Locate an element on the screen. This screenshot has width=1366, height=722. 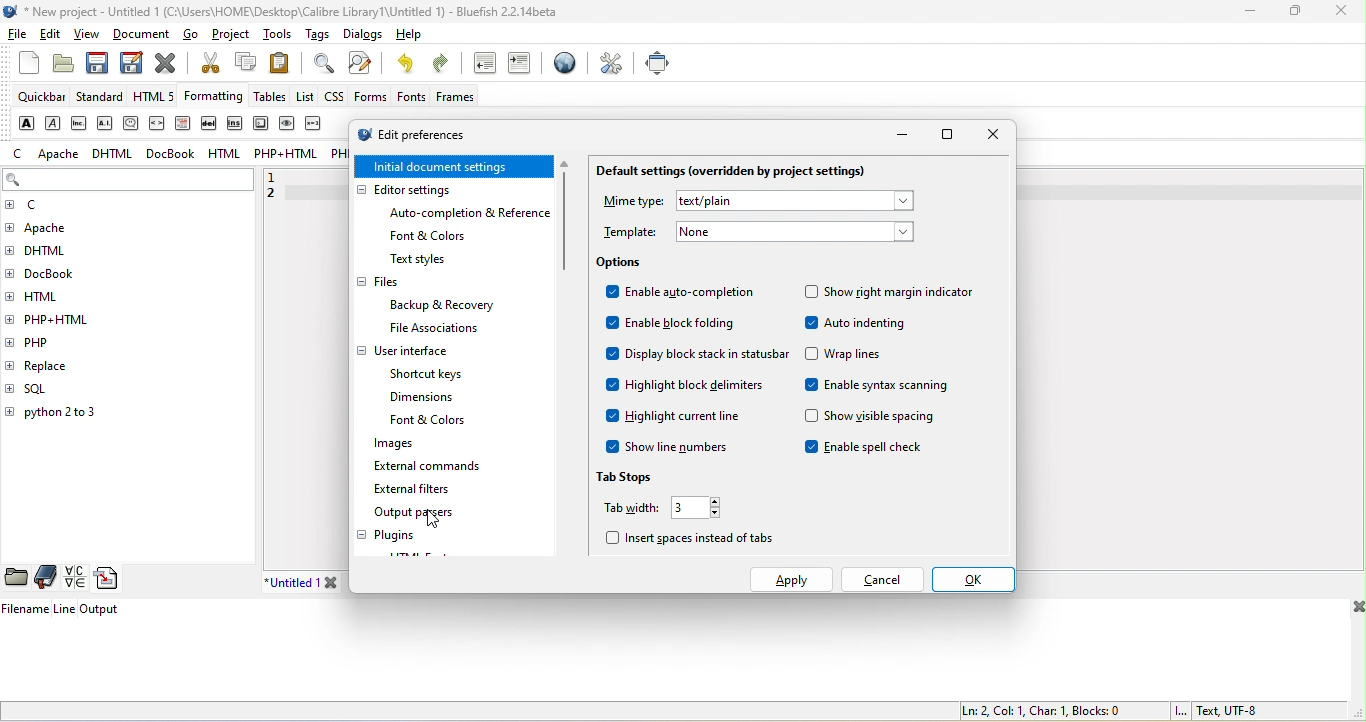
preferences is located at coordinates (610, 63).